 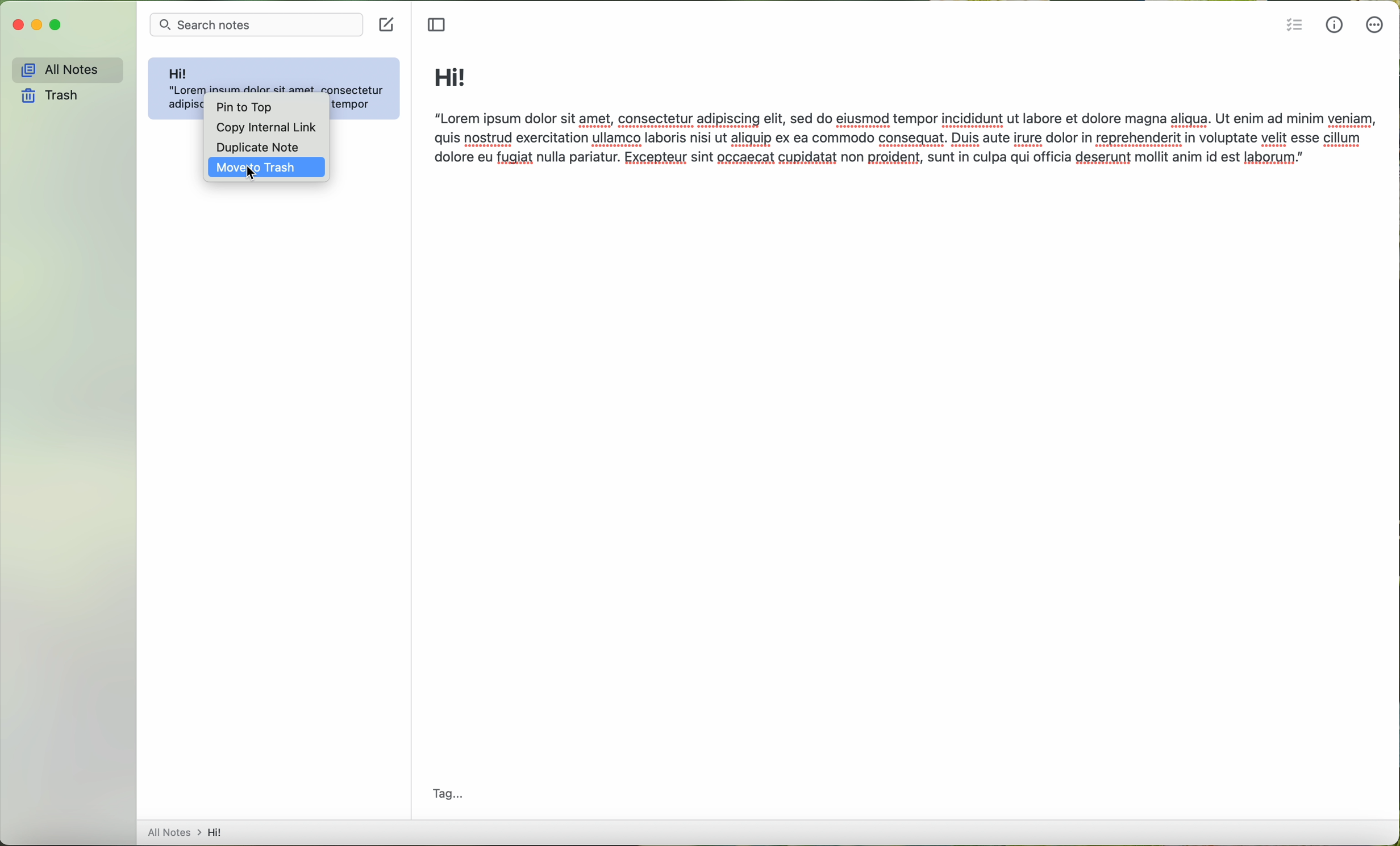 I want to click on insert checklist, so click(x=1294, y=24).